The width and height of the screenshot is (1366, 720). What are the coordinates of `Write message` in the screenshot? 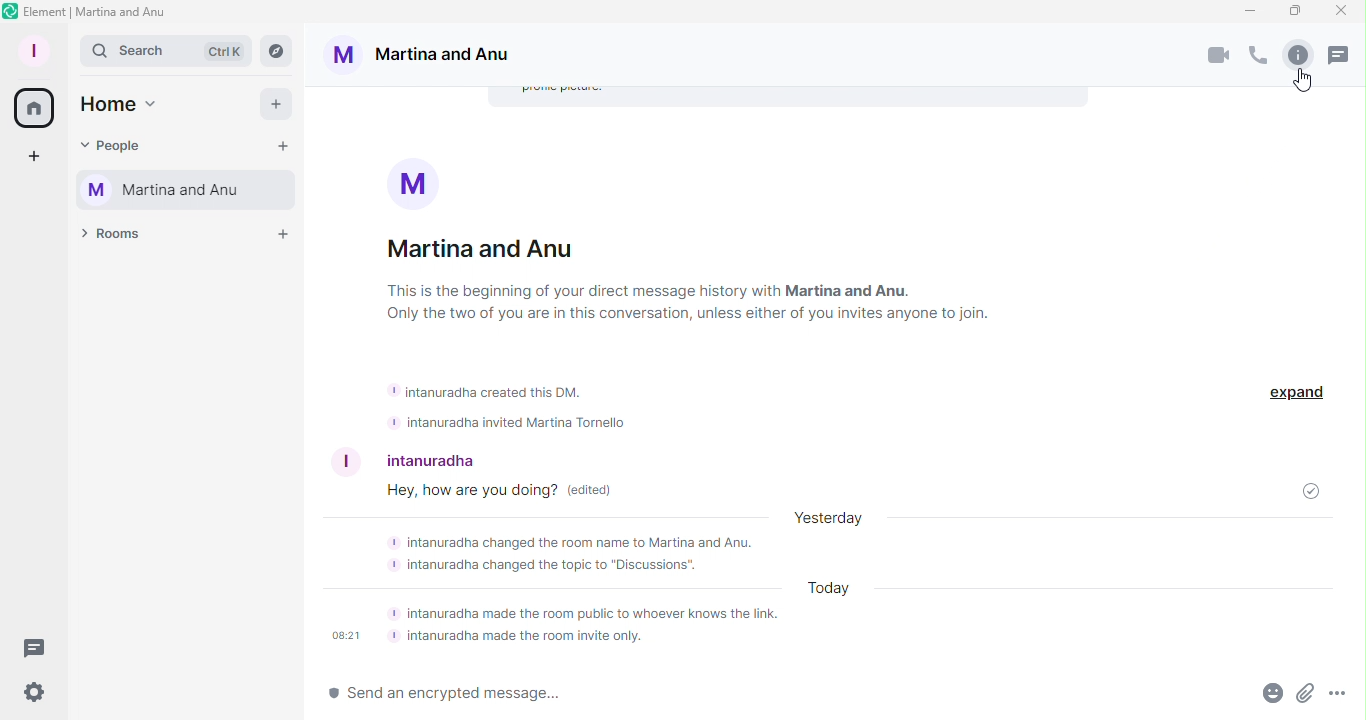 It's located at (758, 694).